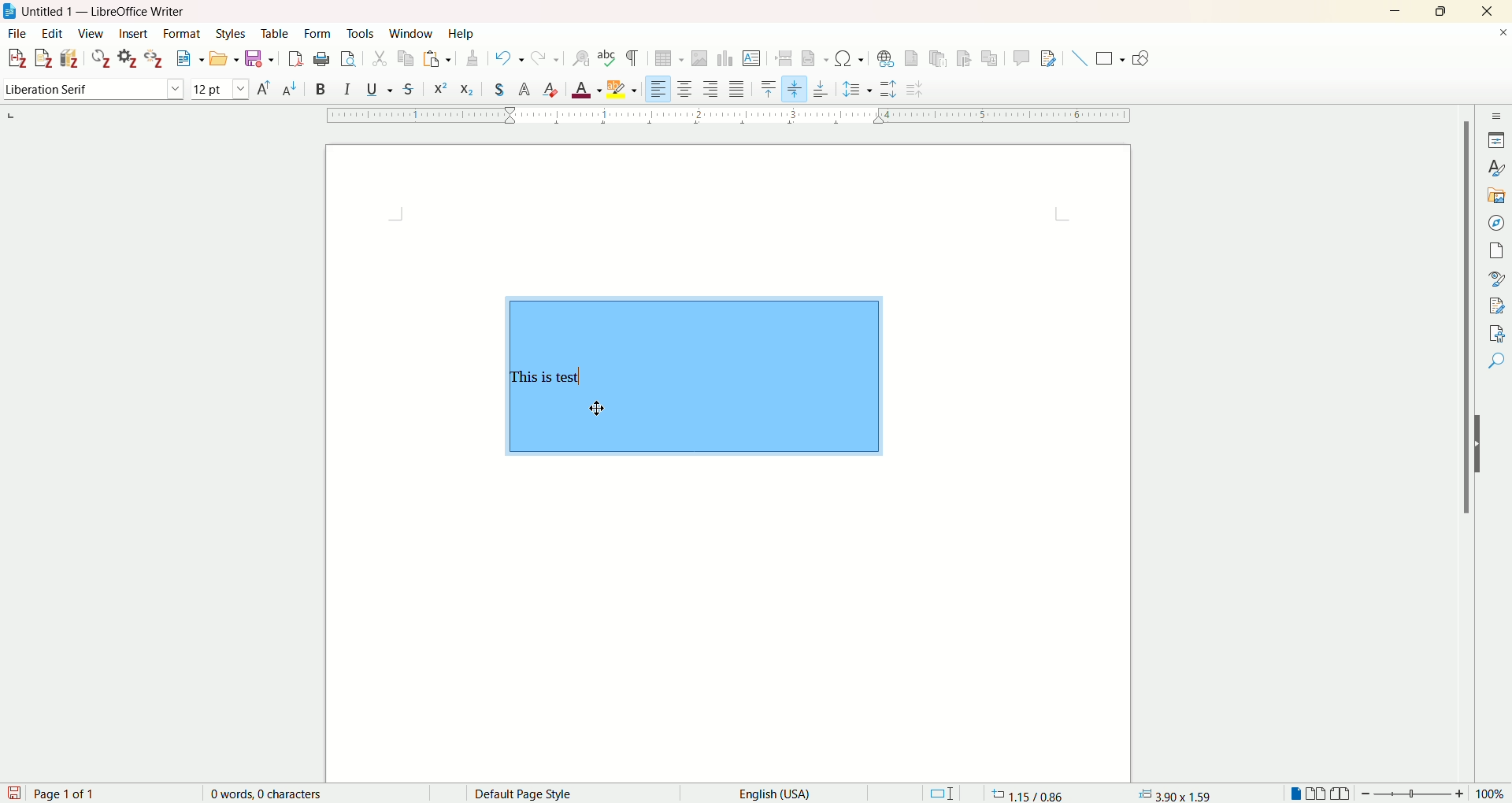 This screenshot has height=803, width=1512. Describe the element at coordinates (372, 89) in the screenshot. I see `to foregorund` at that location.